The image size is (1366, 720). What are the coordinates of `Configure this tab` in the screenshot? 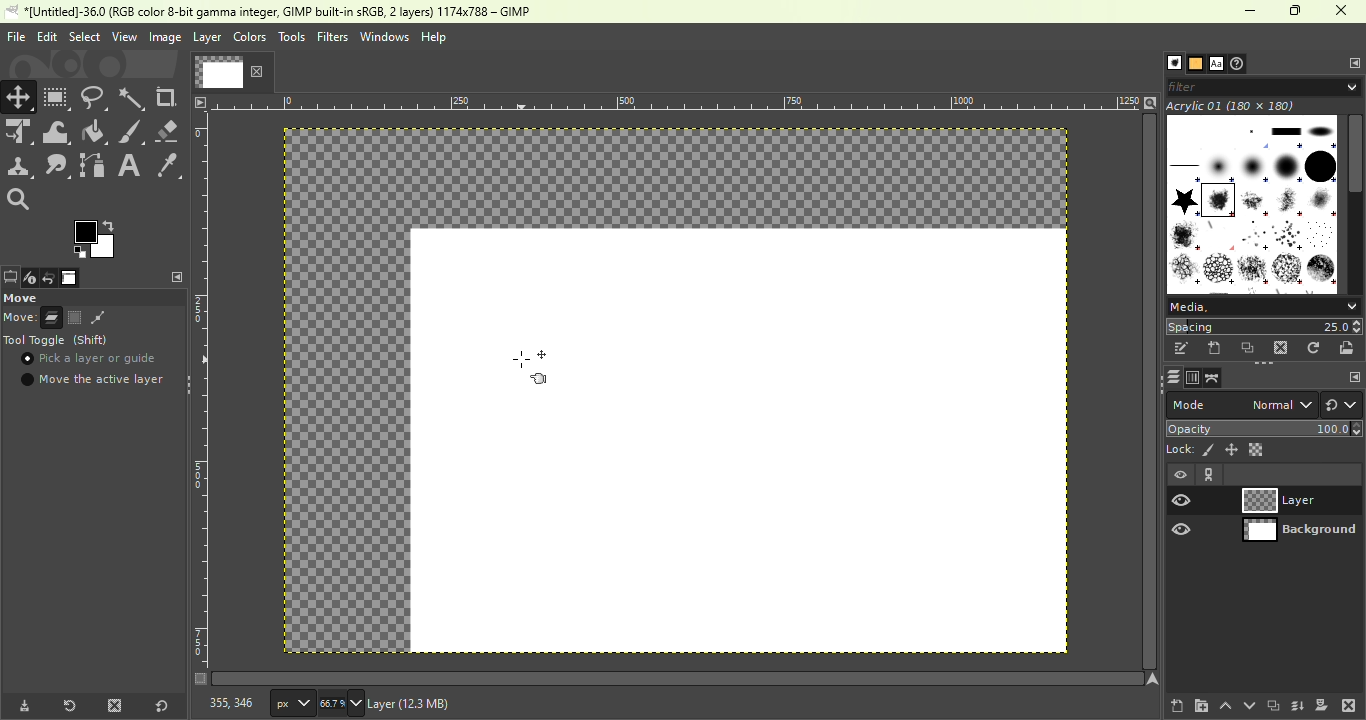 It's located at (174, 277).